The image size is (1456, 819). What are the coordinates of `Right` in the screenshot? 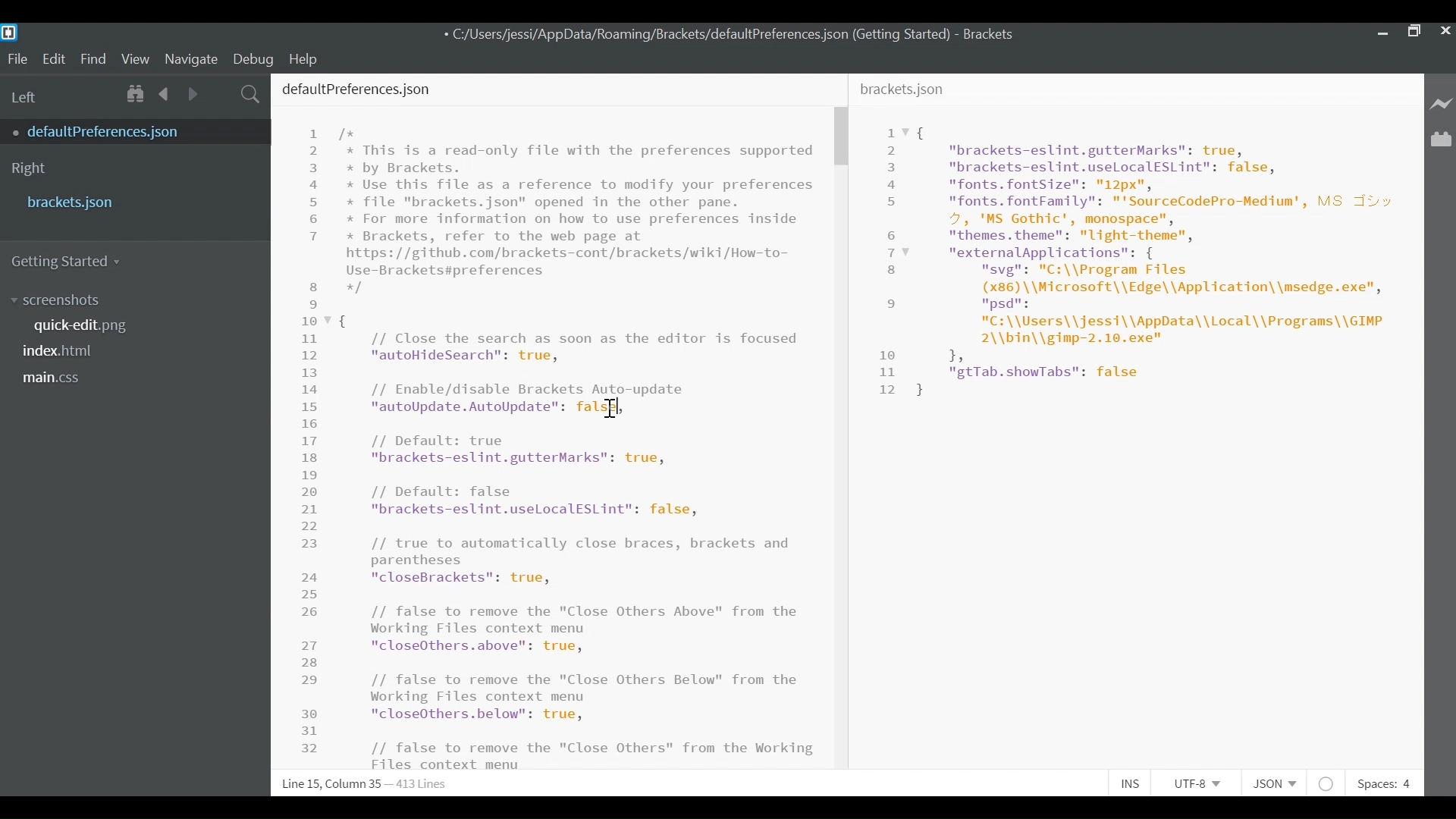 It's located at (29, 169).